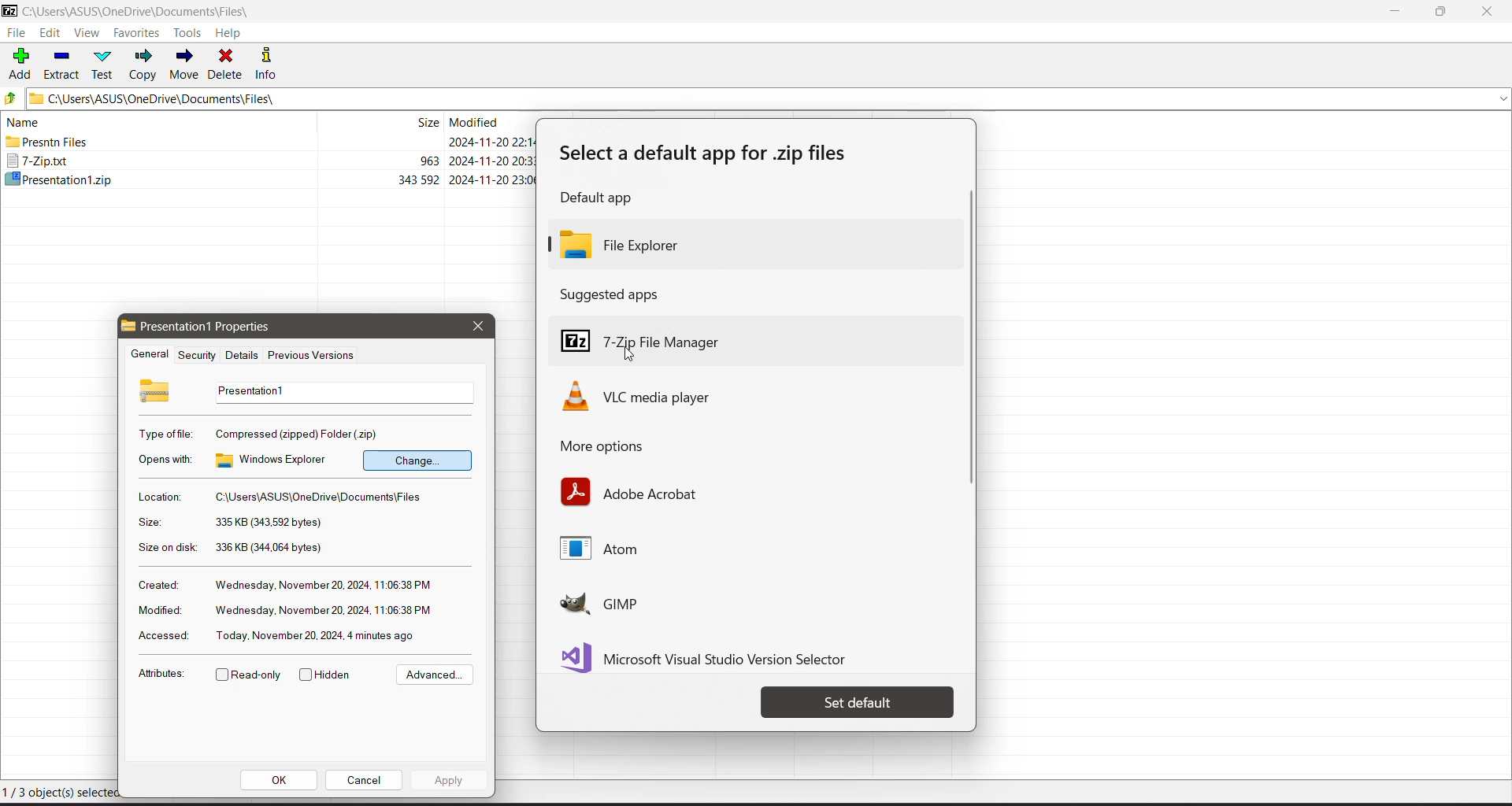 The height and width of the screenshot is (806, 1512). I want to click on Size on disk, so click(168, 549).